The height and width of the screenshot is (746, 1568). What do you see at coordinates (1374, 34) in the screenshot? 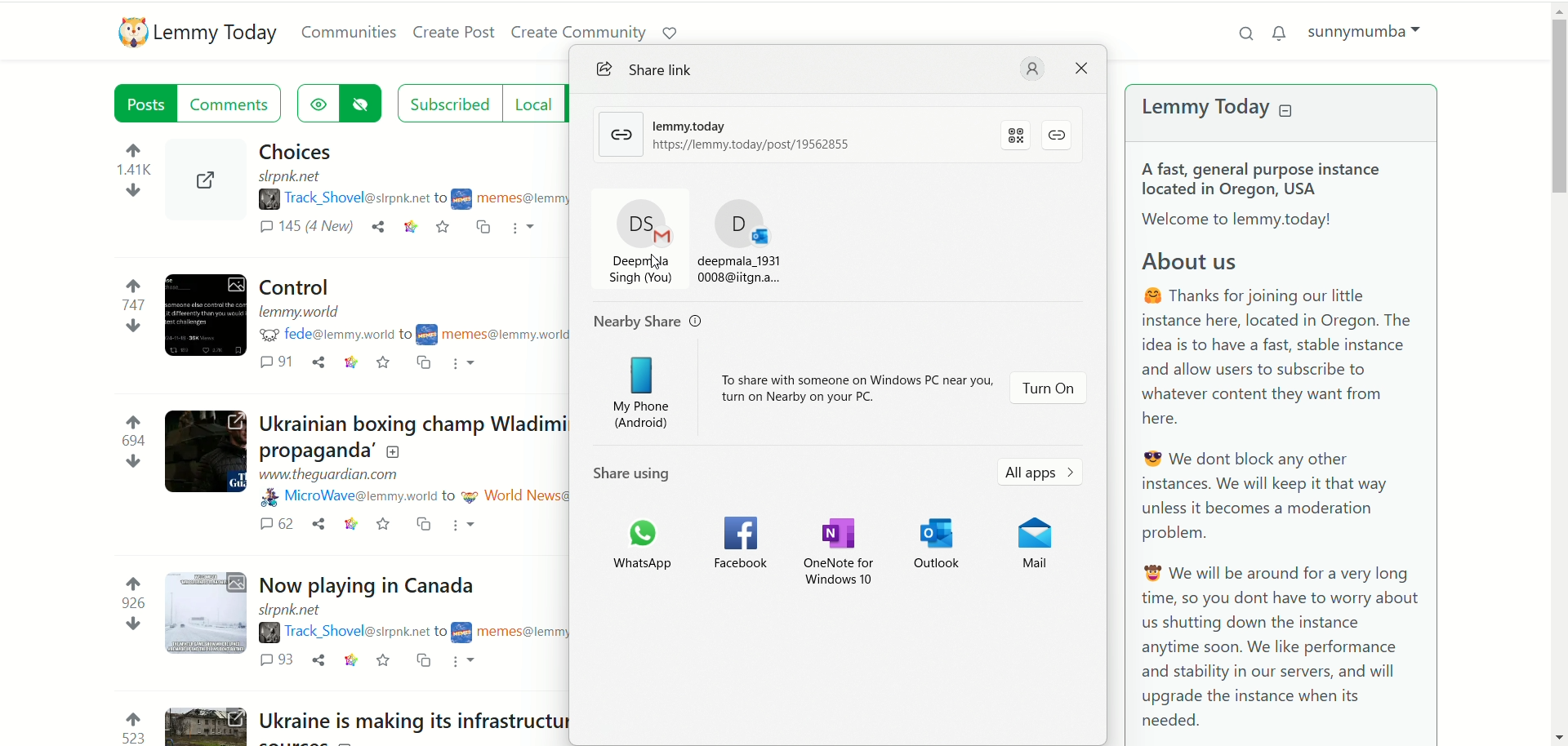
I see `sunnymumba(account)` at bounding box center [1374, 34].